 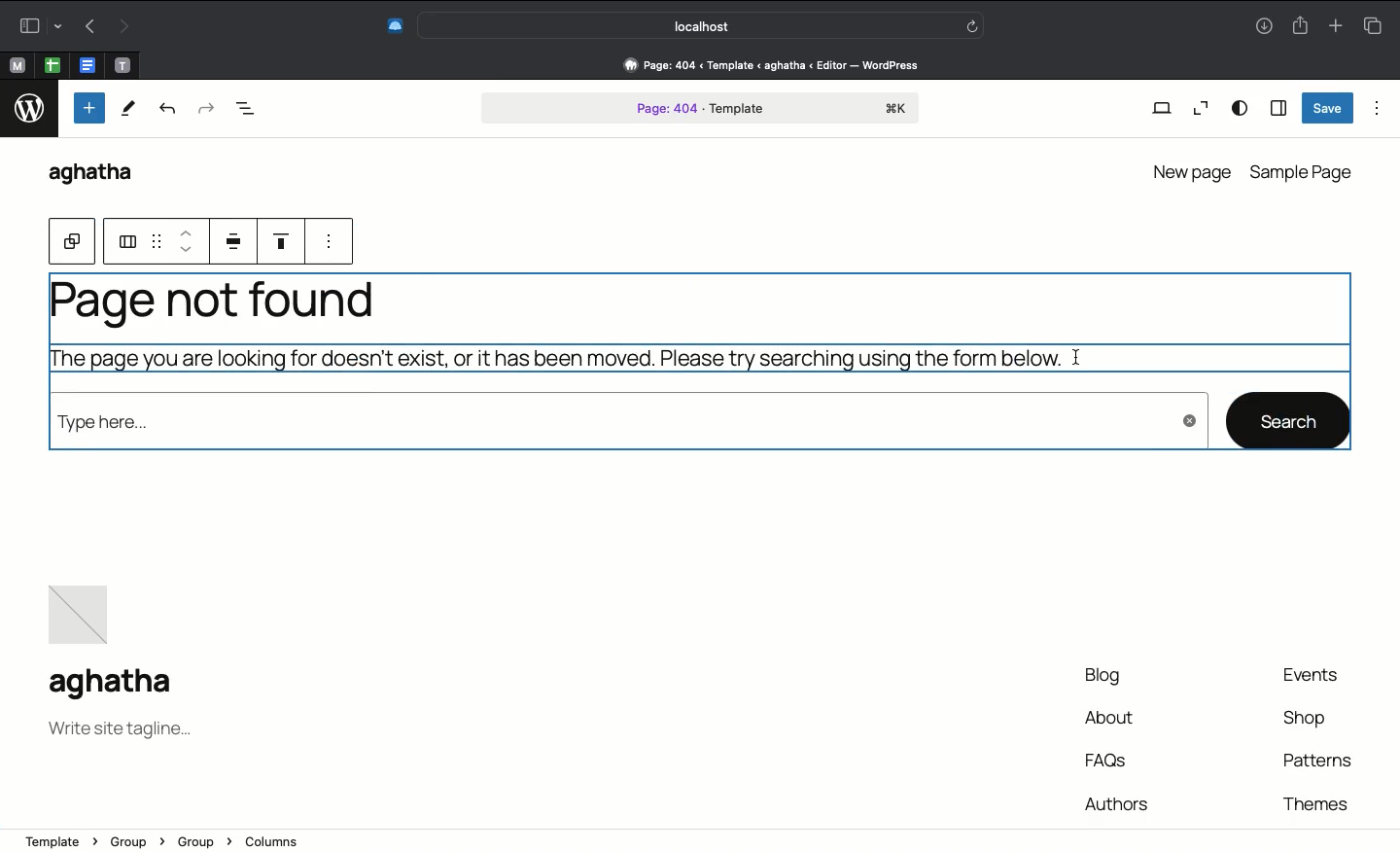 I want to click on ungroup, so click(x=125, y=239).